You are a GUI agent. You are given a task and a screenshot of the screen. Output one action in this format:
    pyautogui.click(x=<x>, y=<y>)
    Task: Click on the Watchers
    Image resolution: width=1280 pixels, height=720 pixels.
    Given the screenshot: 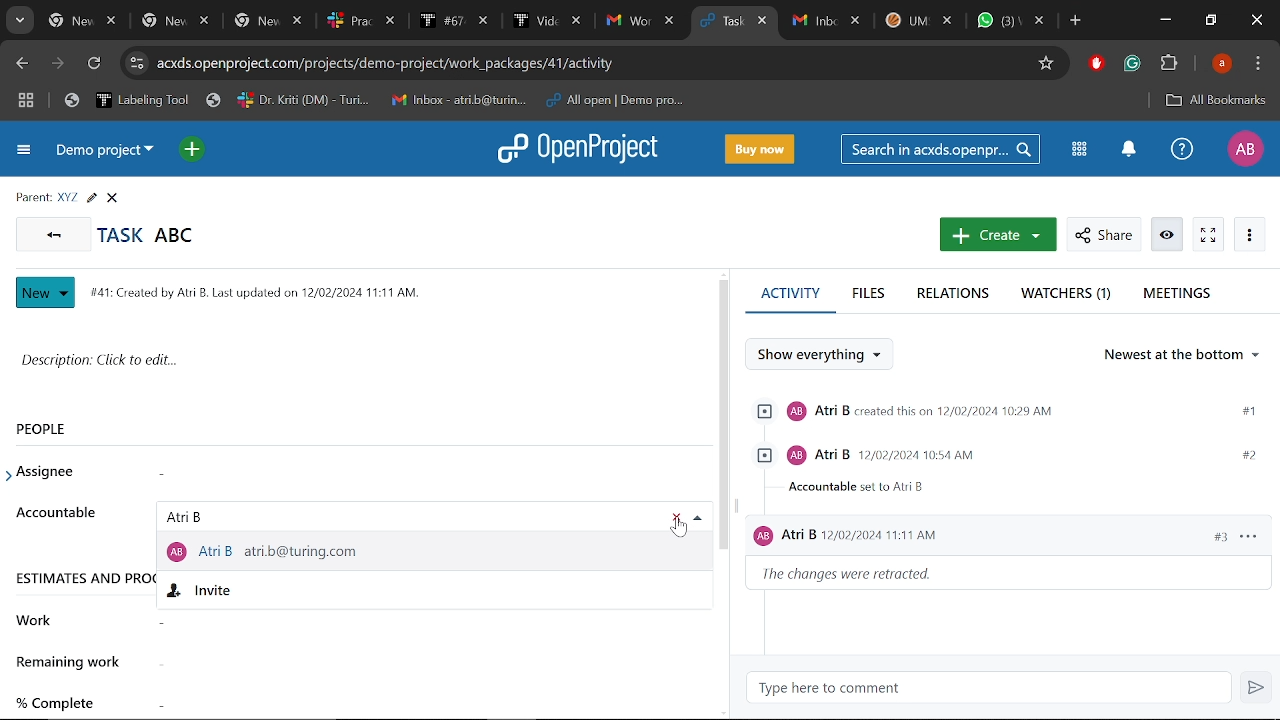 What is the action you would take?
    pyautogui.click(x=1068, y=295)
    